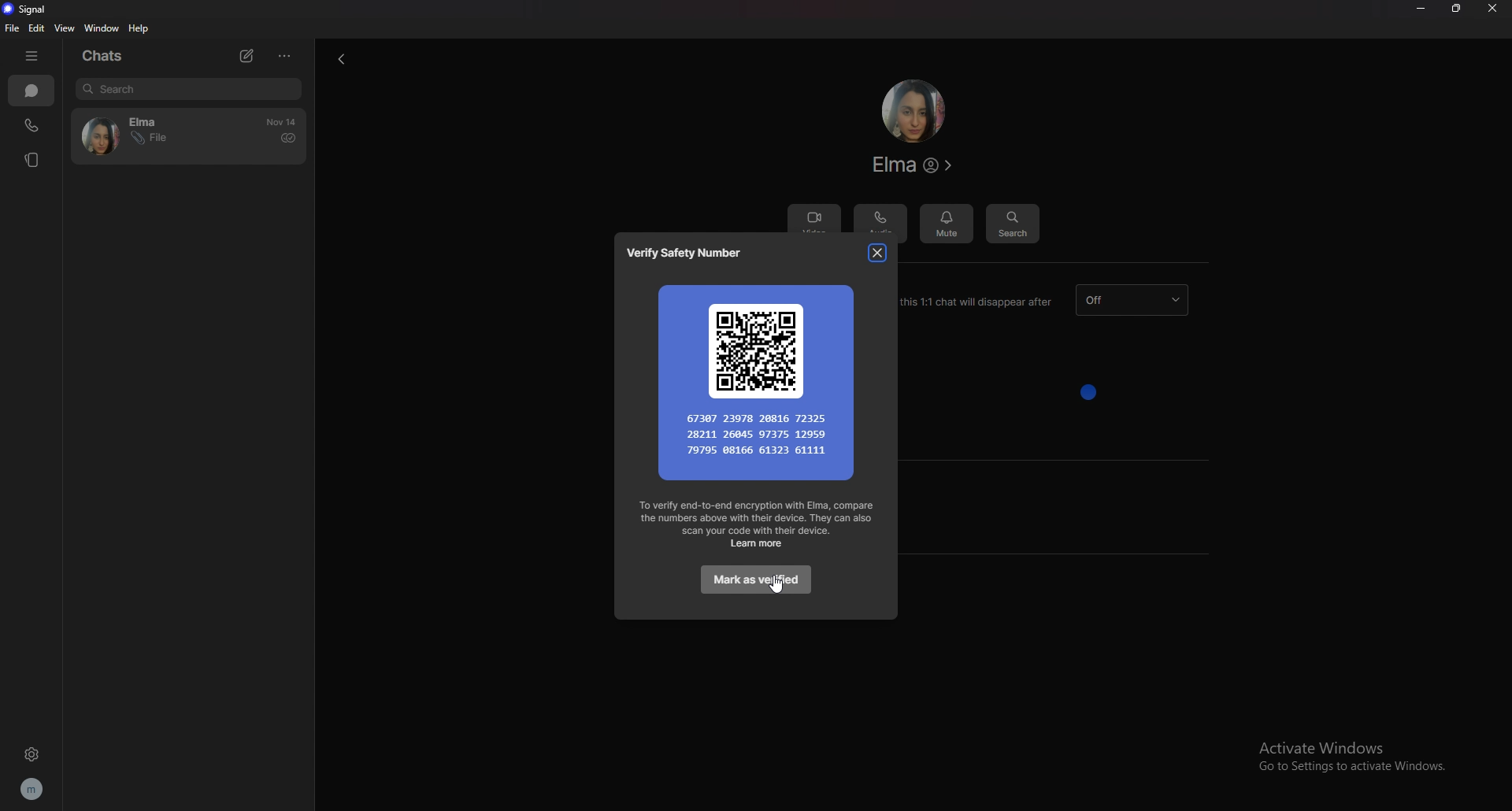  Describe the element at coordinates (947, 220) in the screenshot. I see `mute` at that location.